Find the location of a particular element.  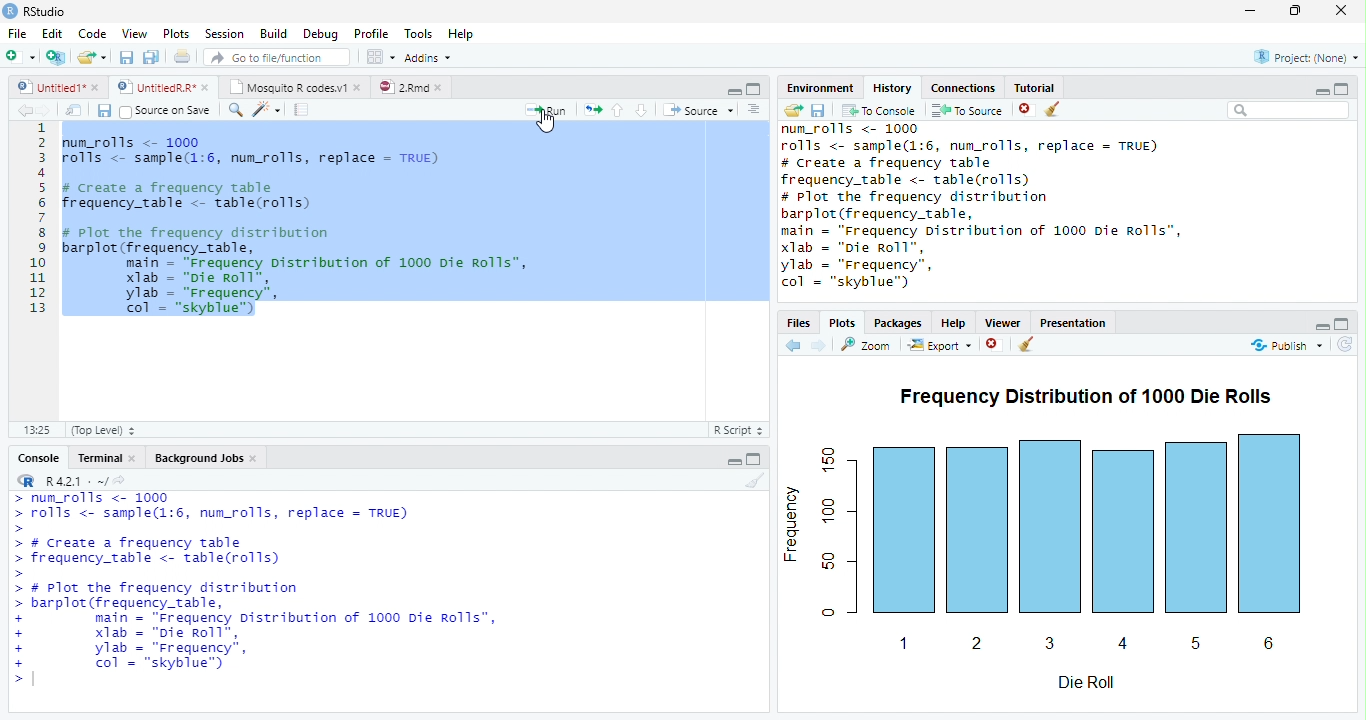

© UntitedRR* * is located at coordinates (165, 87).